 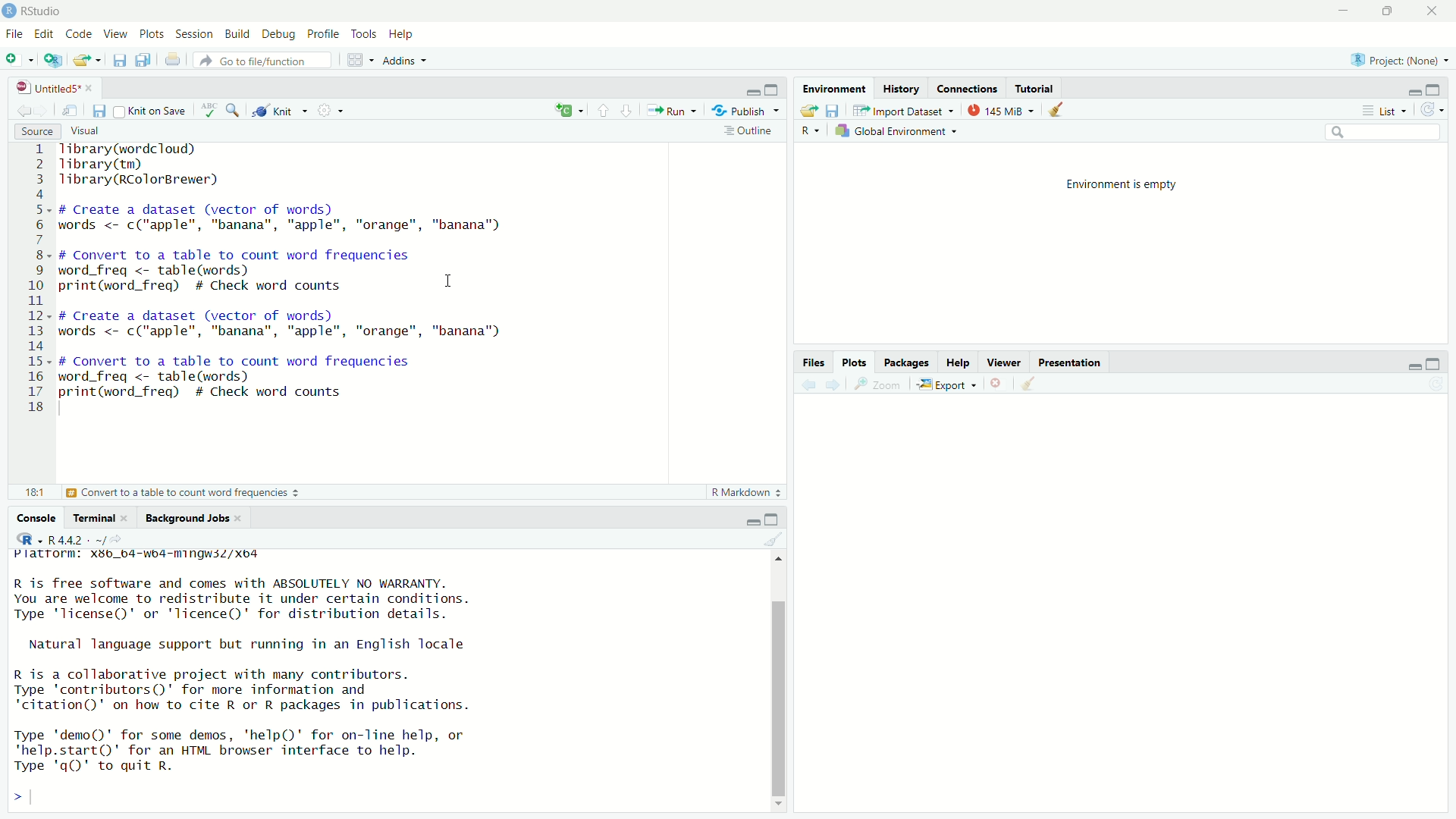 What do you see at coordinates (56, 88) in the screenshot?
I see `Untitled` at bounding box center [56, 88].